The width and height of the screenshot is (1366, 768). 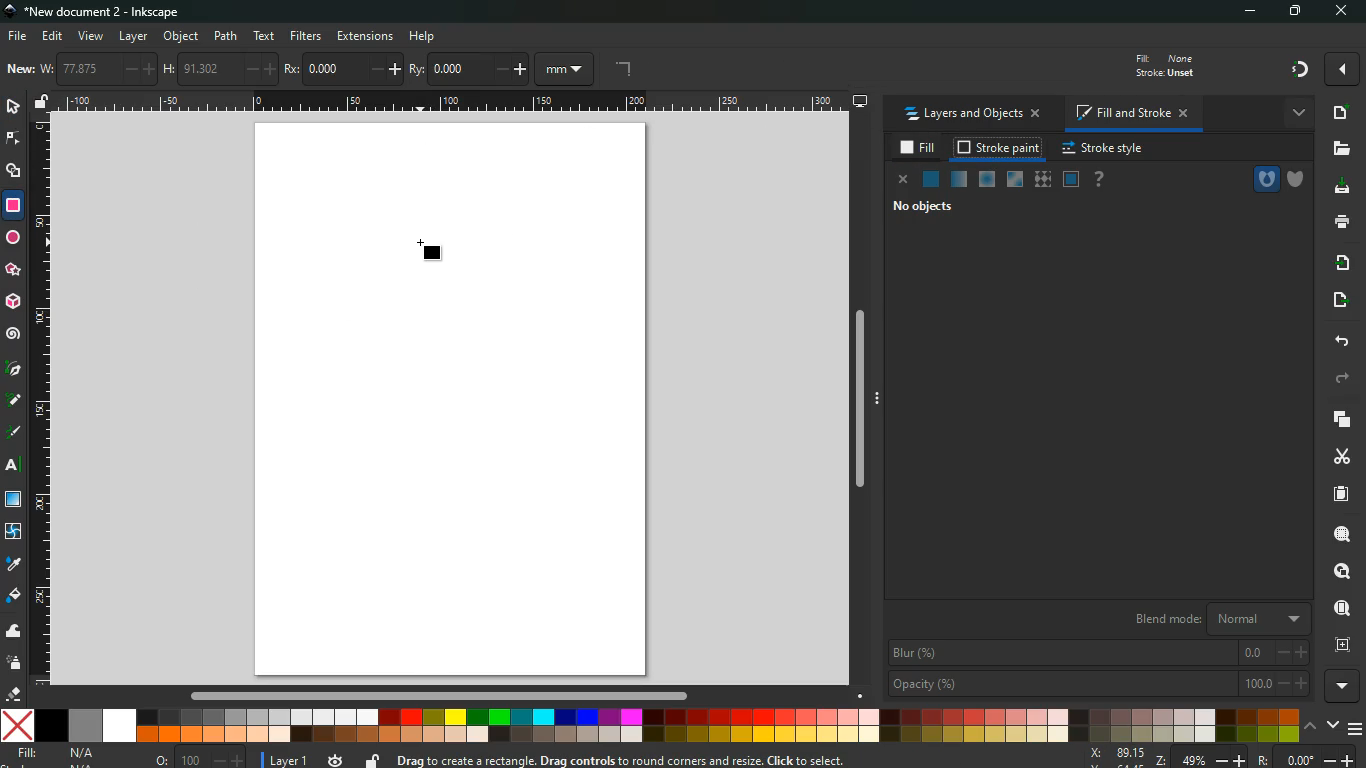 I want to click on no objects, so click(x=919, y=208).